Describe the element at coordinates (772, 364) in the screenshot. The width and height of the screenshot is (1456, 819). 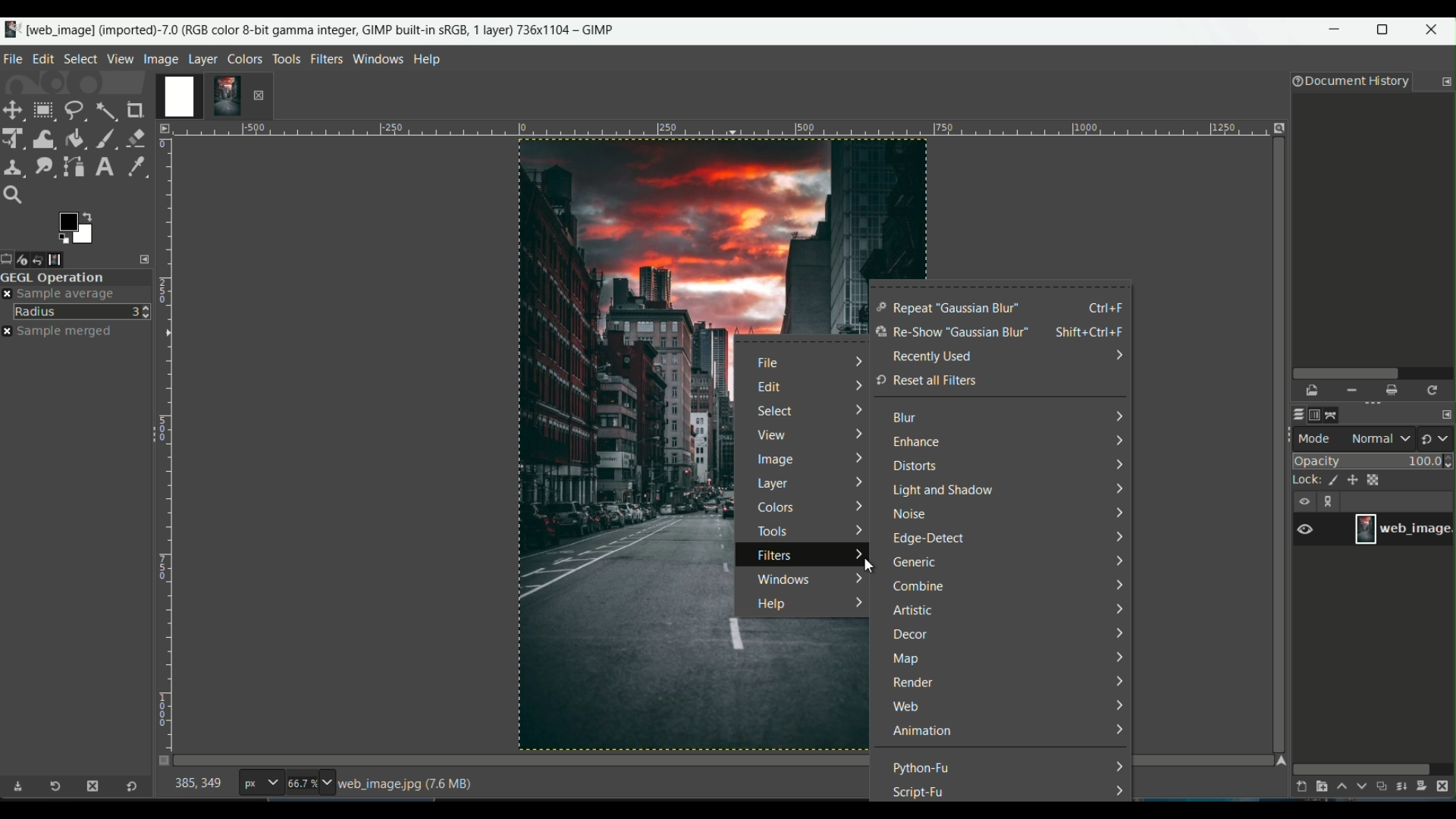
I see `file` at that location.